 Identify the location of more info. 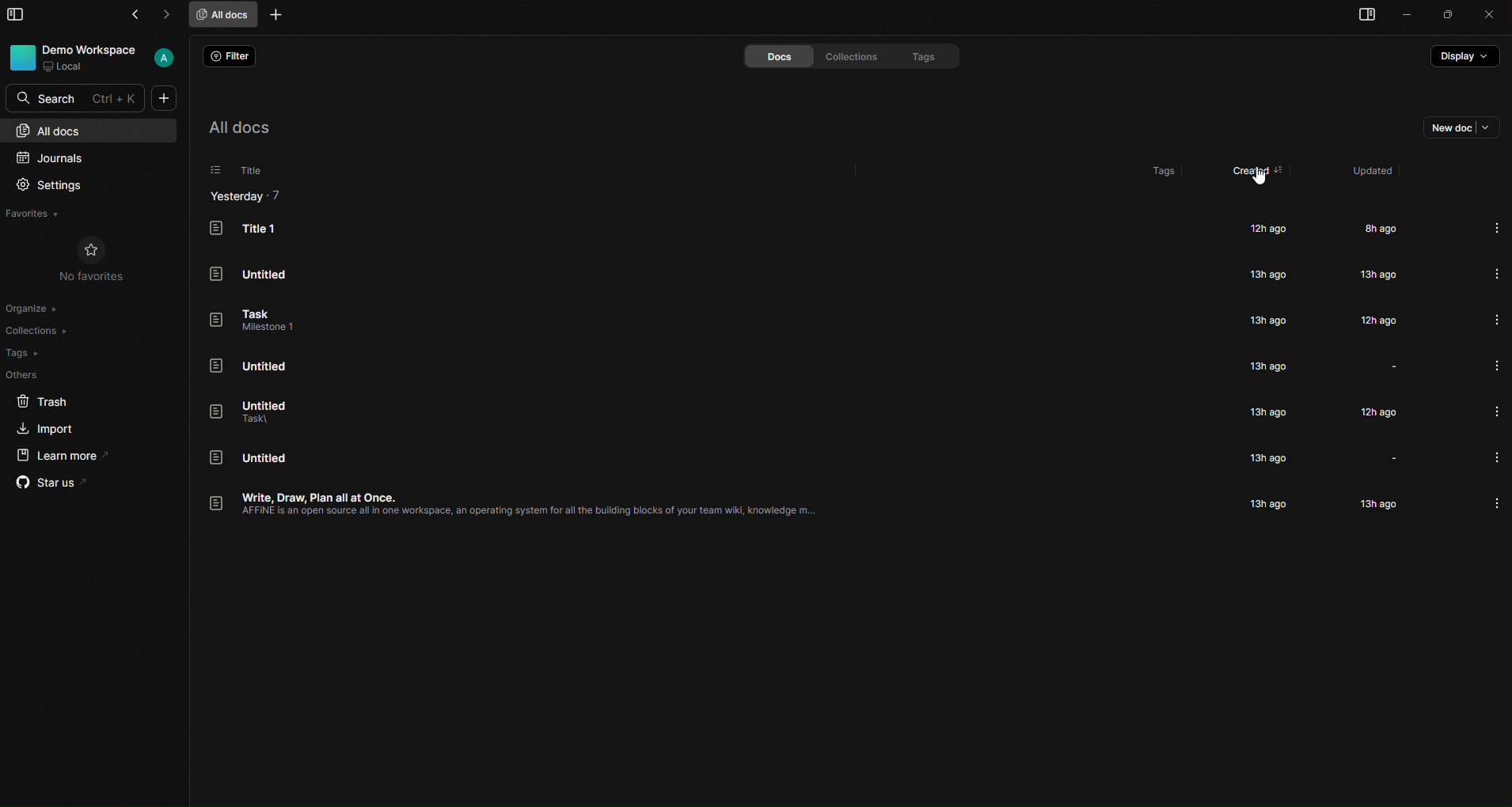
(1495, 272).